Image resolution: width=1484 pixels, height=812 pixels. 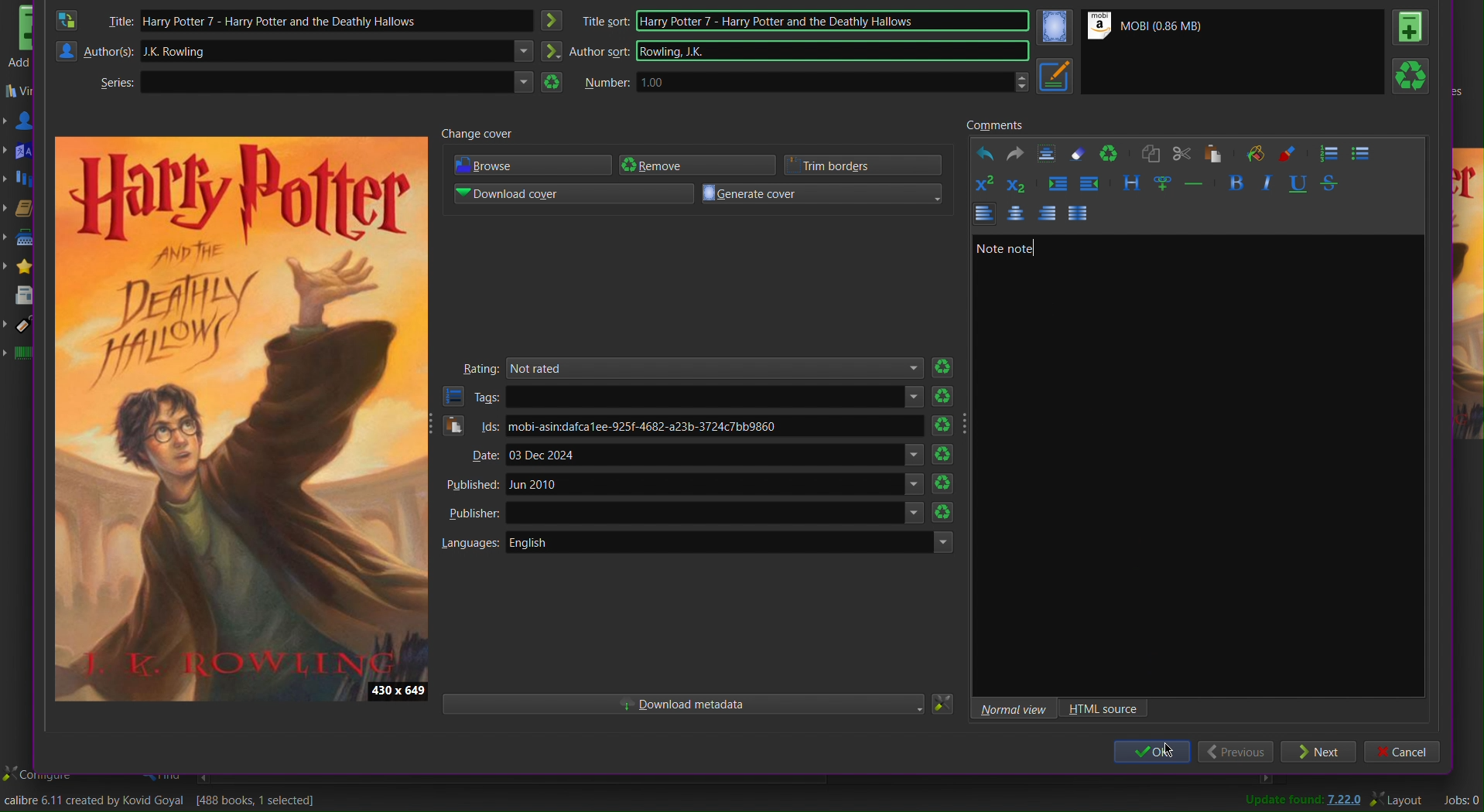 I want to click on refresh, so click(x=945, y=367).